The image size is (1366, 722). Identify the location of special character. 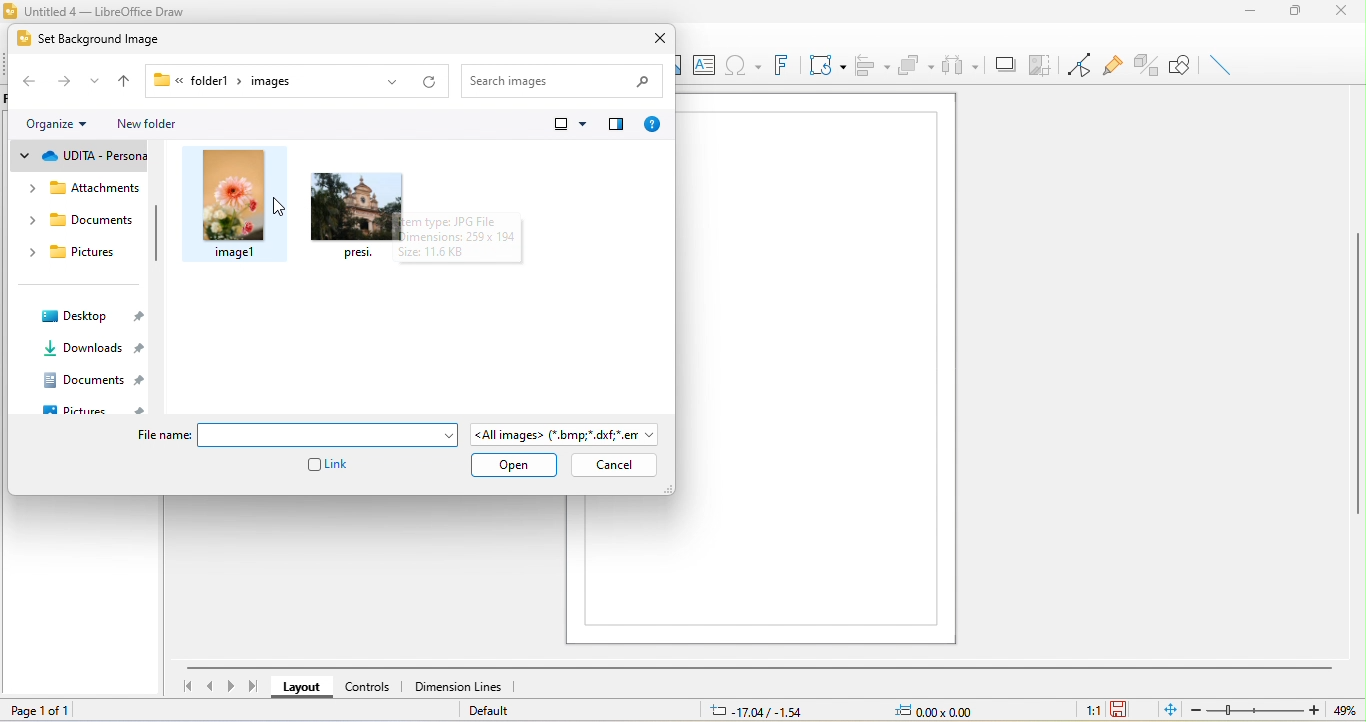
(746, 68).